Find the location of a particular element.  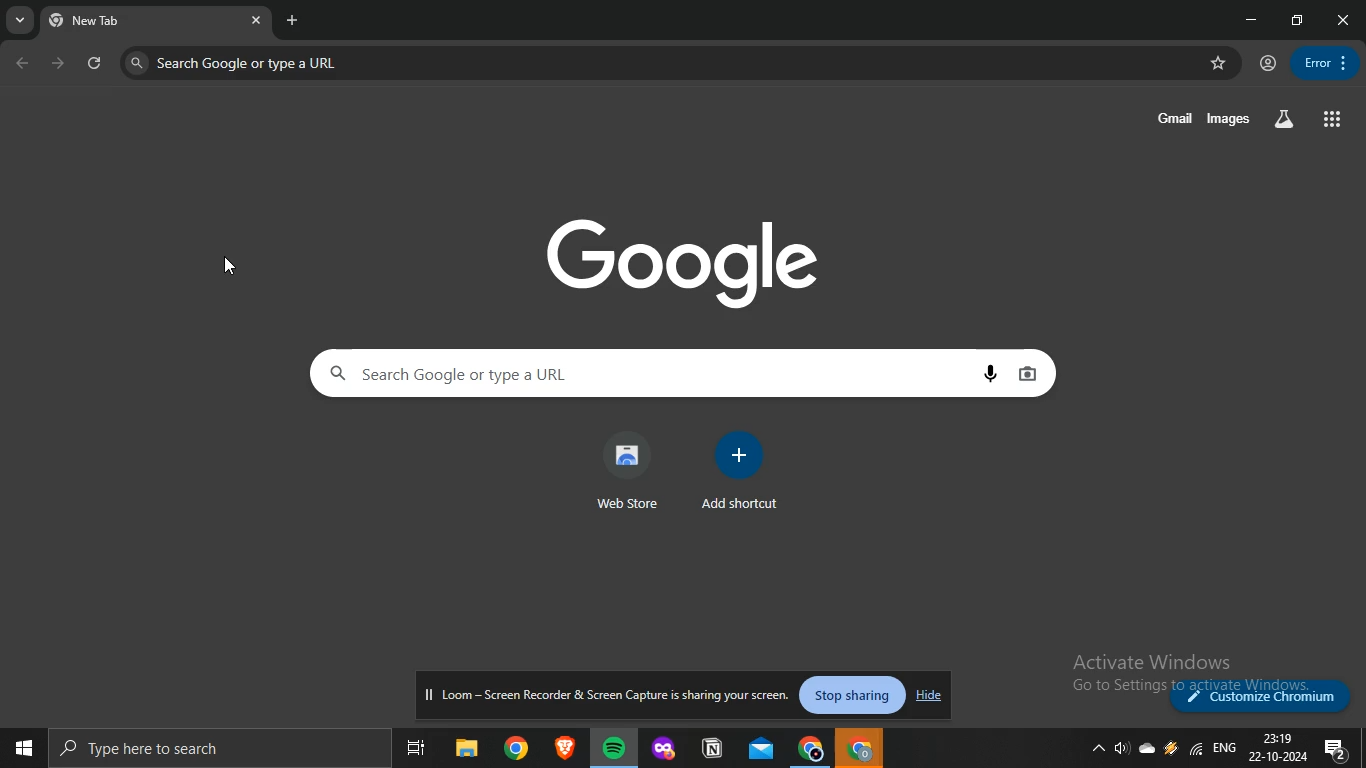

file explorer is located at coordinates (469, 746).